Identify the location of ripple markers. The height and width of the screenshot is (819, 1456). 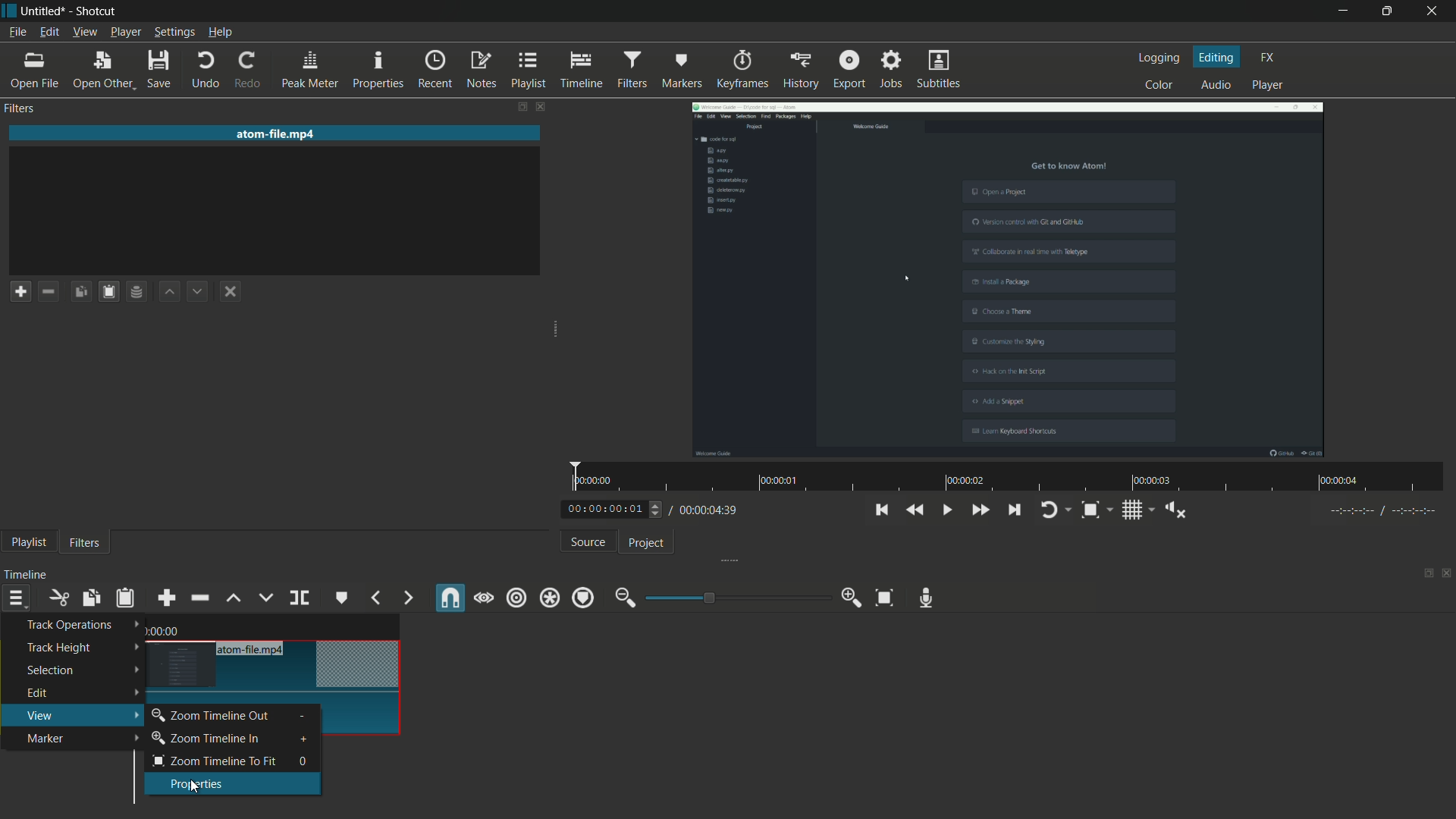
(583, 598).